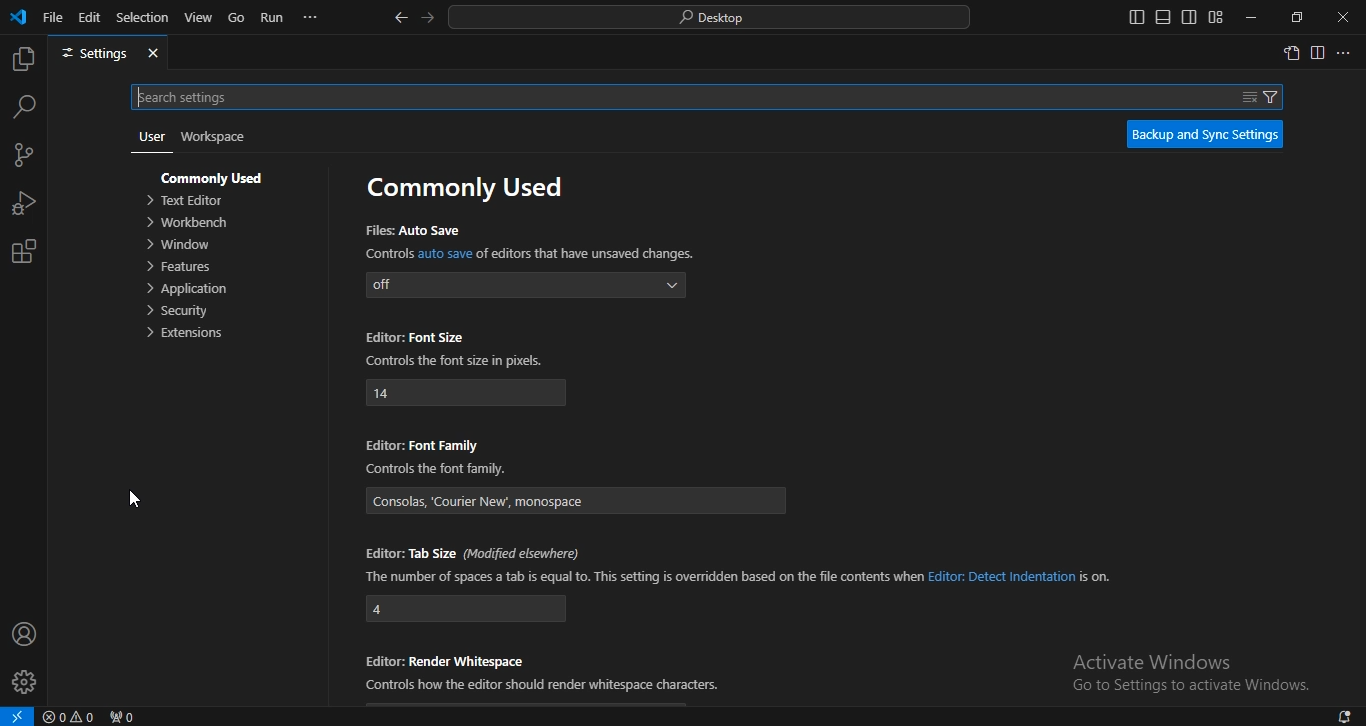 This screenshot has width=1366, height=726. Describe the element at coordinates (182, 246) in the screenshot. I see `window` at that location.